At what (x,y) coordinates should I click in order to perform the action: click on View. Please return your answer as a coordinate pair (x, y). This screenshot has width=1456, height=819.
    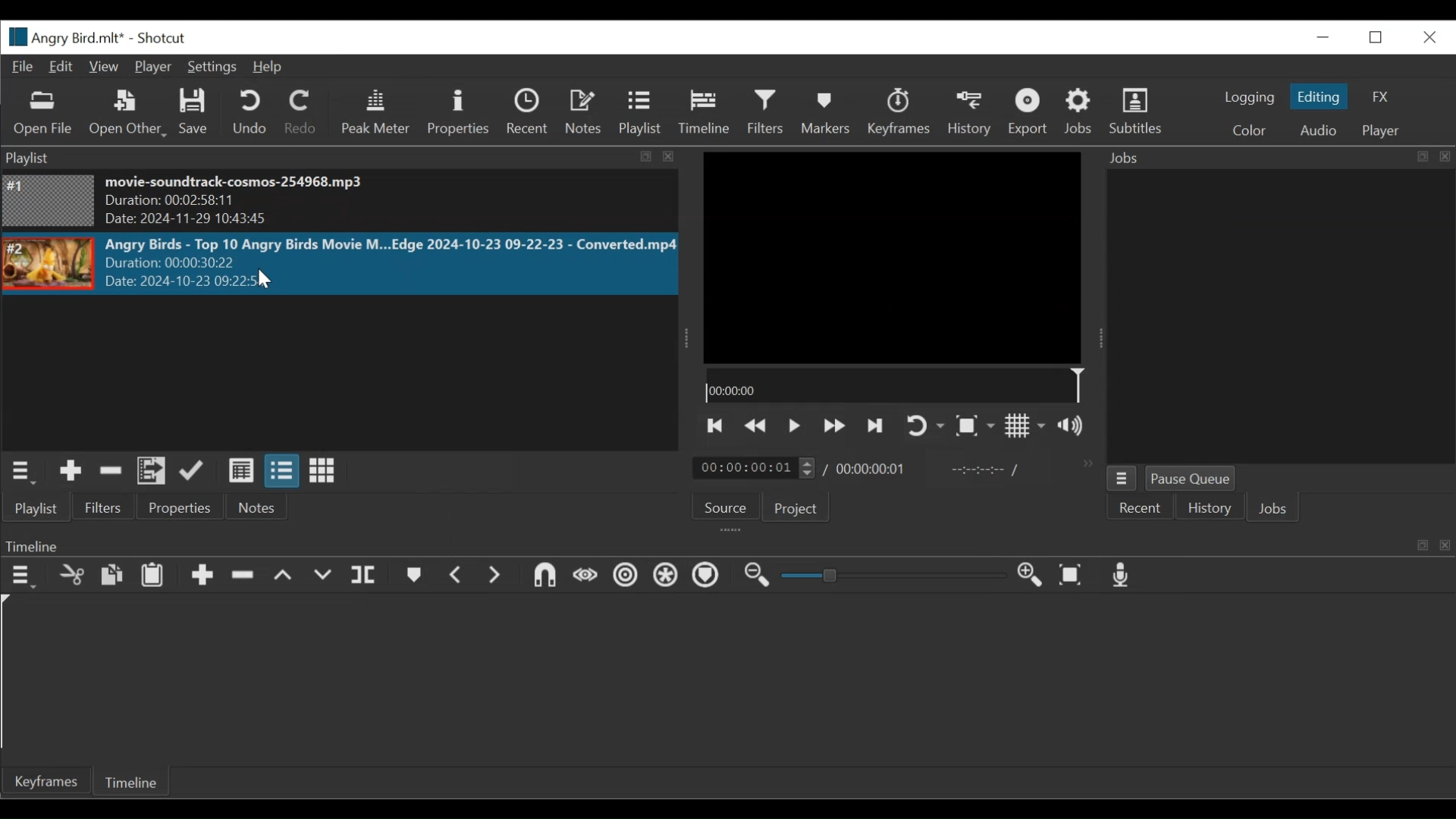
    Looking at the image, I should click on (104, 66).